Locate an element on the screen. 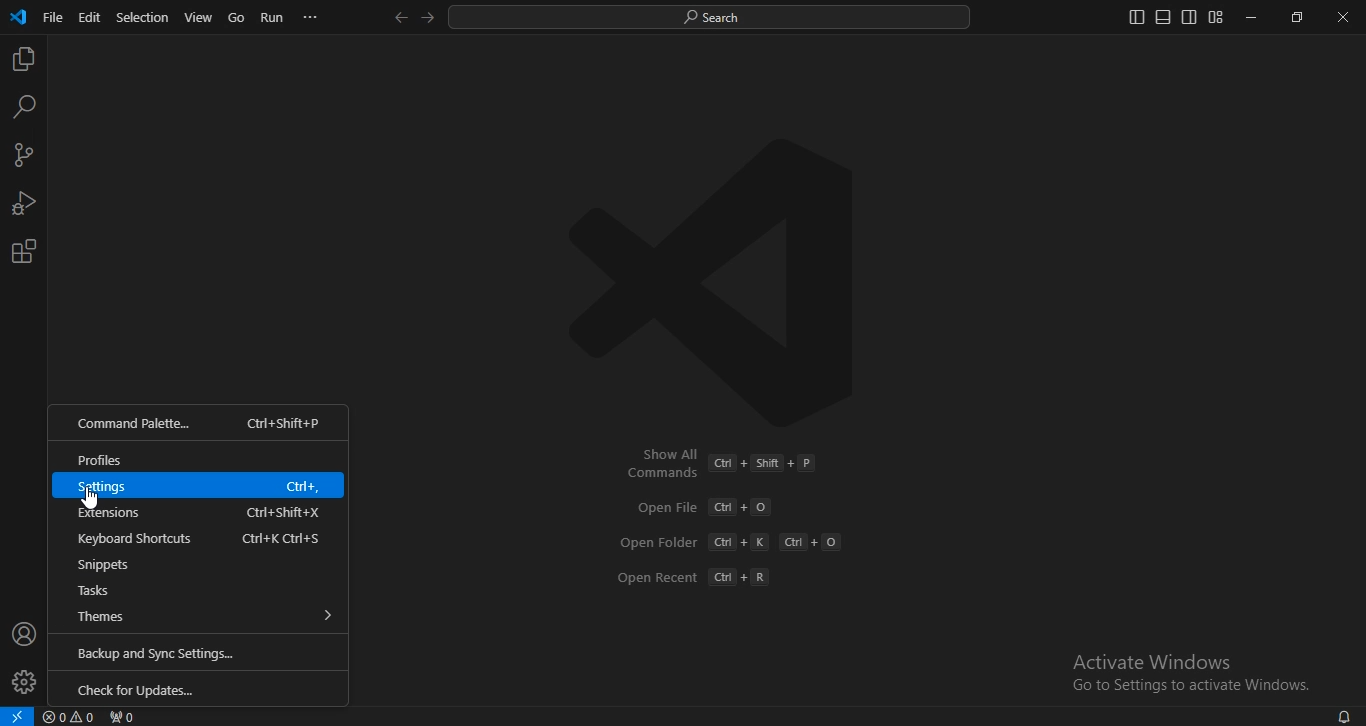 The width and height of the screenshot is (1366, 726). search desktop is located at coordinates (715, 18).